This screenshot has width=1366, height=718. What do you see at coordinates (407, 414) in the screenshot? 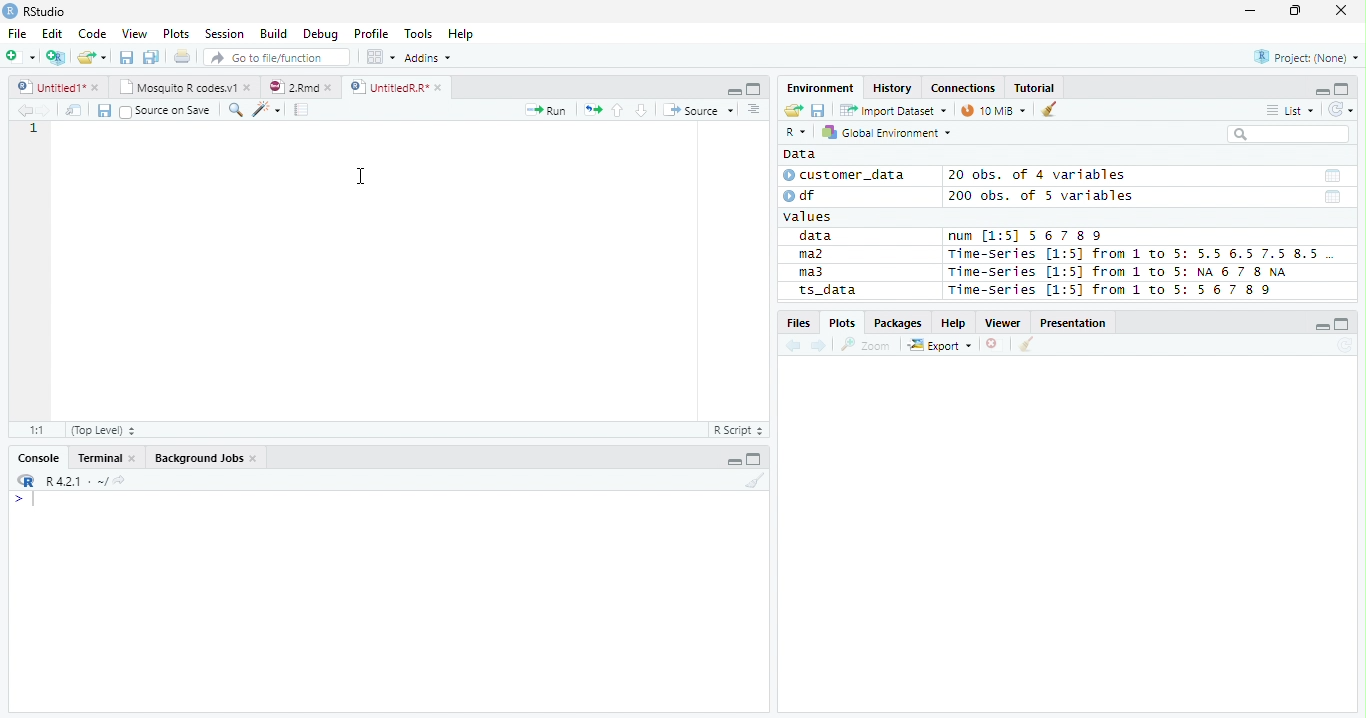
I see `Scroll` at bounding box center [407, 414].